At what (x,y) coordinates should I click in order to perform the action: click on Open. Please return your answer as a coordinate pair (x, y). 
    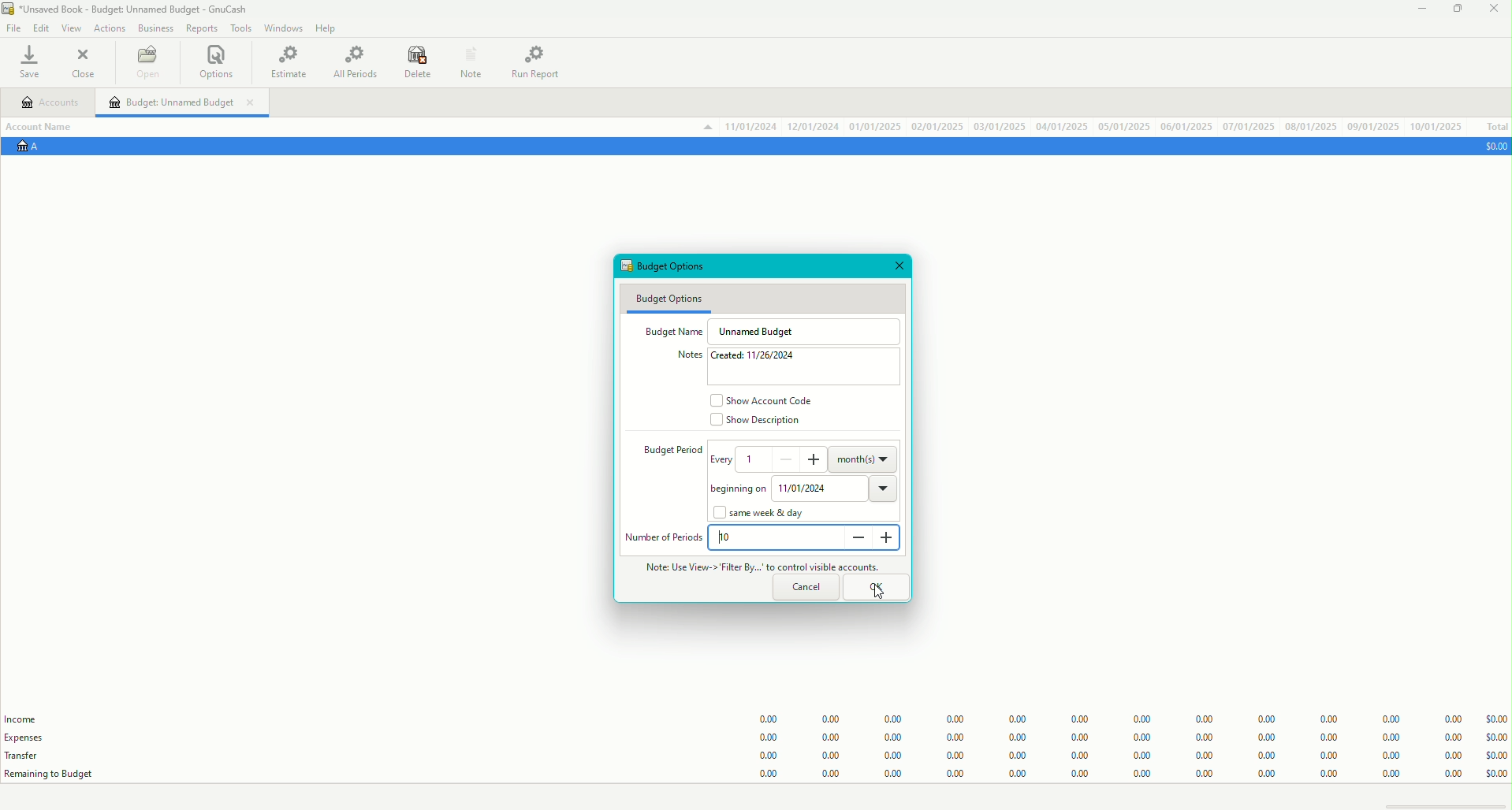
    Looking at the image, I should click on (147, 65).